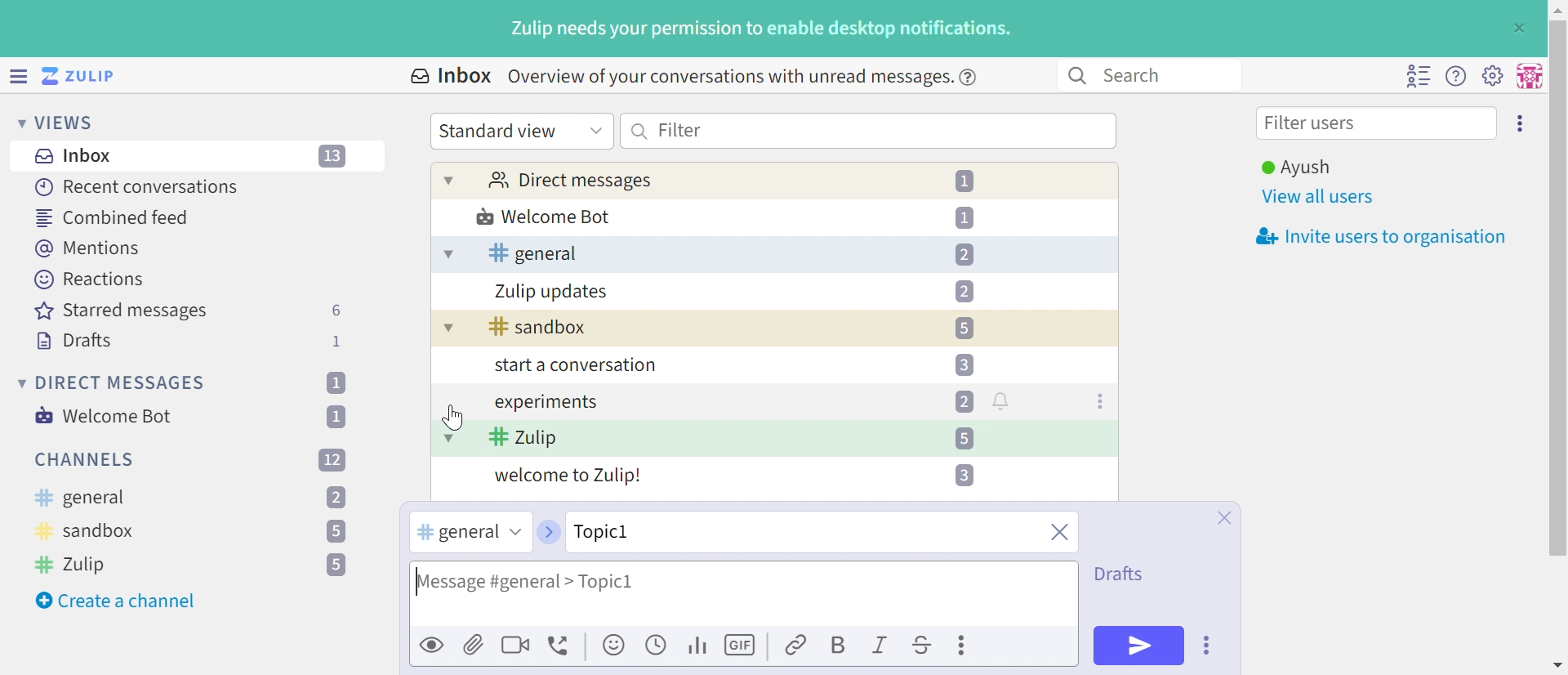 This screenshot has height=675, width=1568. What do you see at coordinates (963, 438) in the screenshot?
I see `5` at bounding box center [963, 438].